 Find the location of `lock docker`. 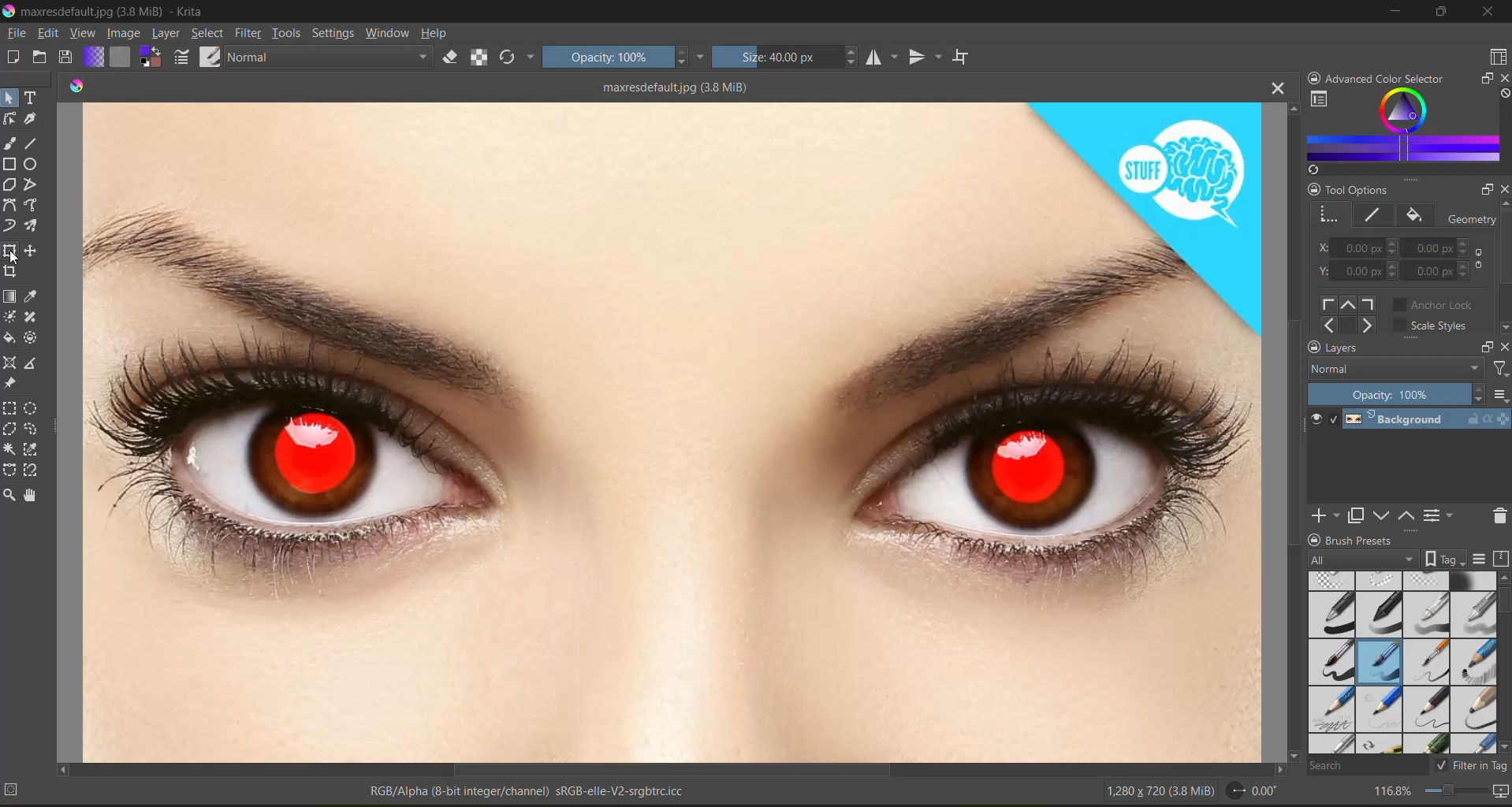

lock docker is located at coordinates (1313, 190).